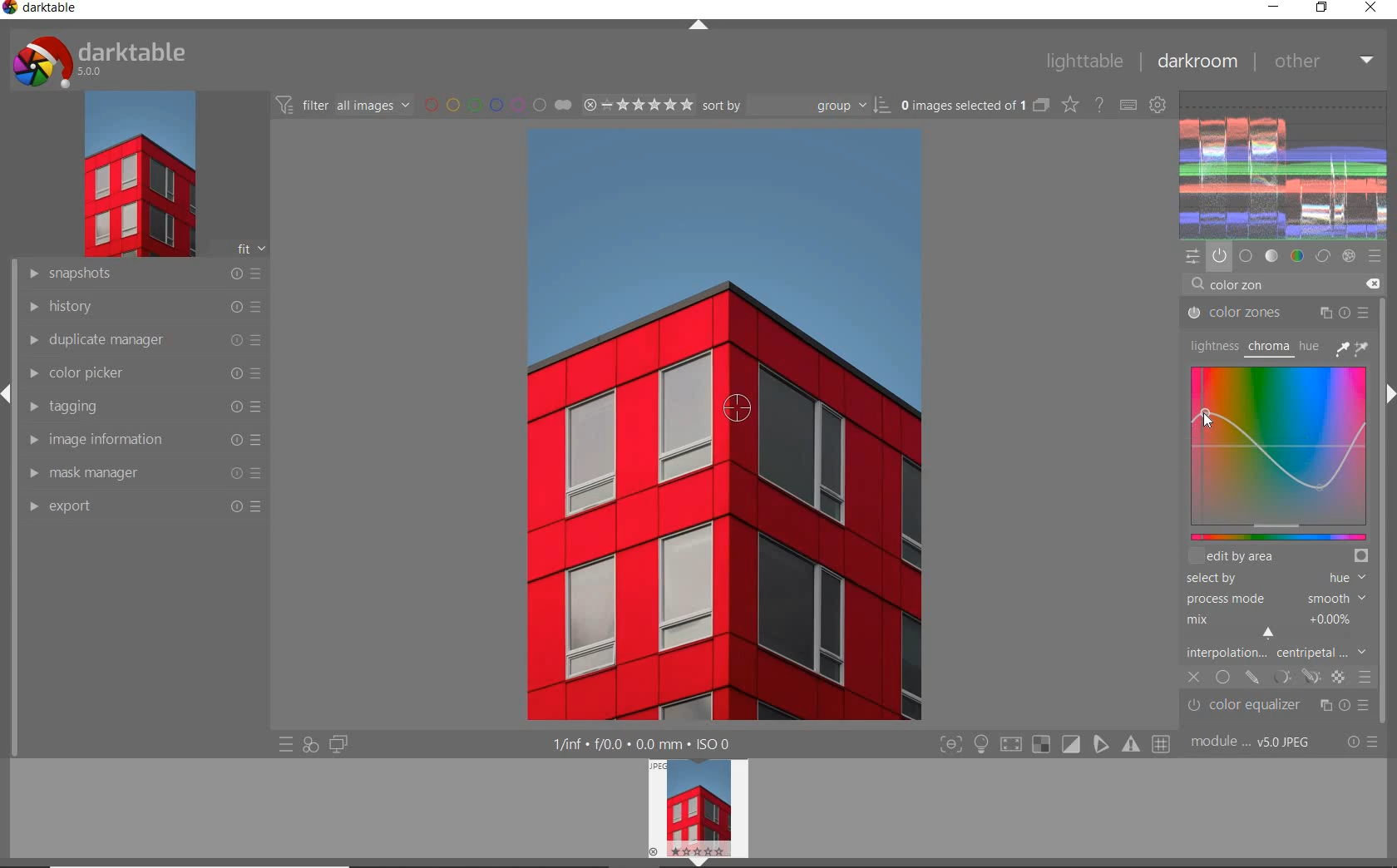  I want to click on filter all images, so click(344, 105).